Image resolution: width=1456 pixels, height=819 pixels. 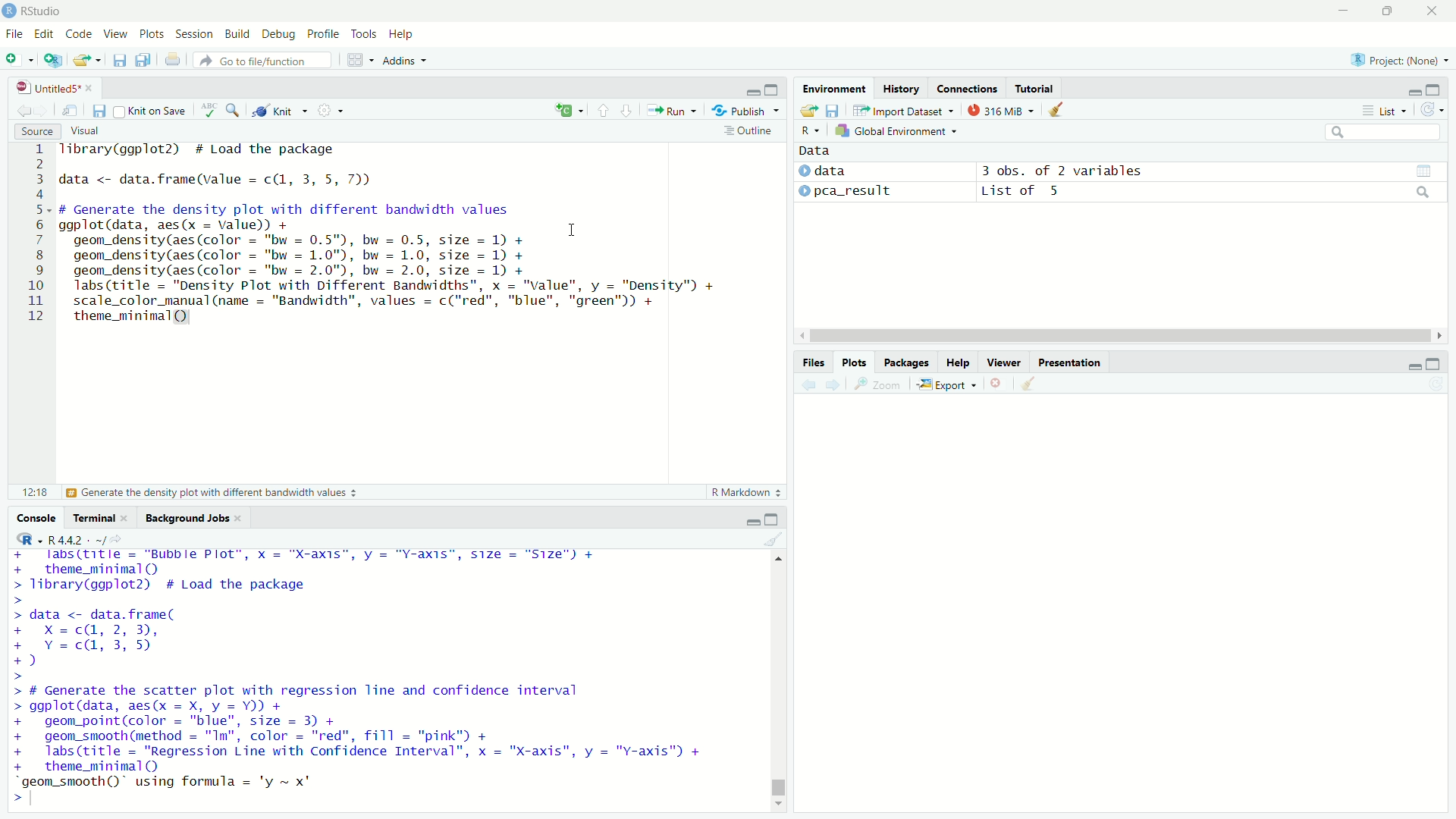 I want to click on Save current document, so click(x=119, y=61).